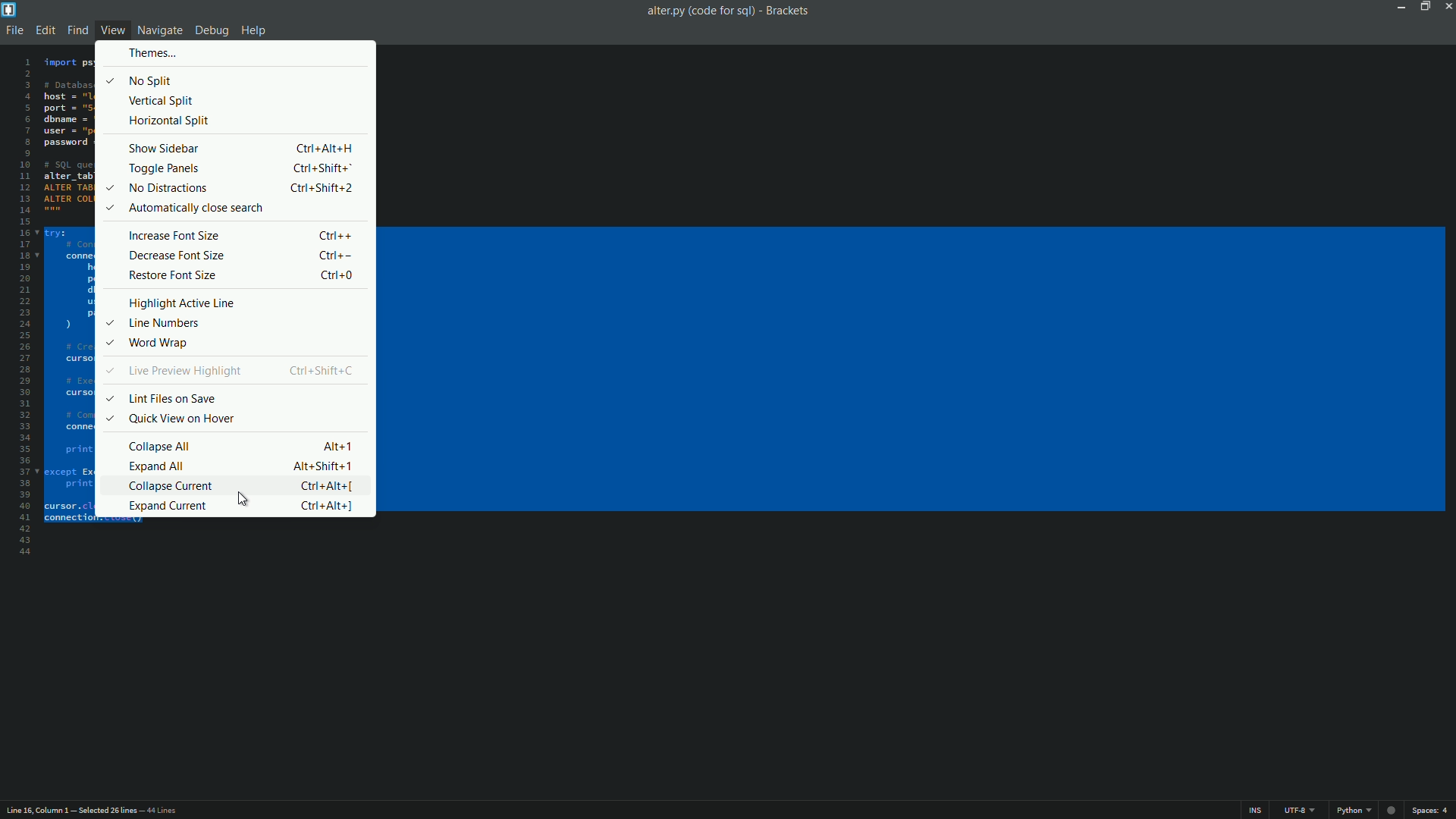 The width and height of the screenshot is (1456, 819). I want to click on file format, so click(1367, 811).